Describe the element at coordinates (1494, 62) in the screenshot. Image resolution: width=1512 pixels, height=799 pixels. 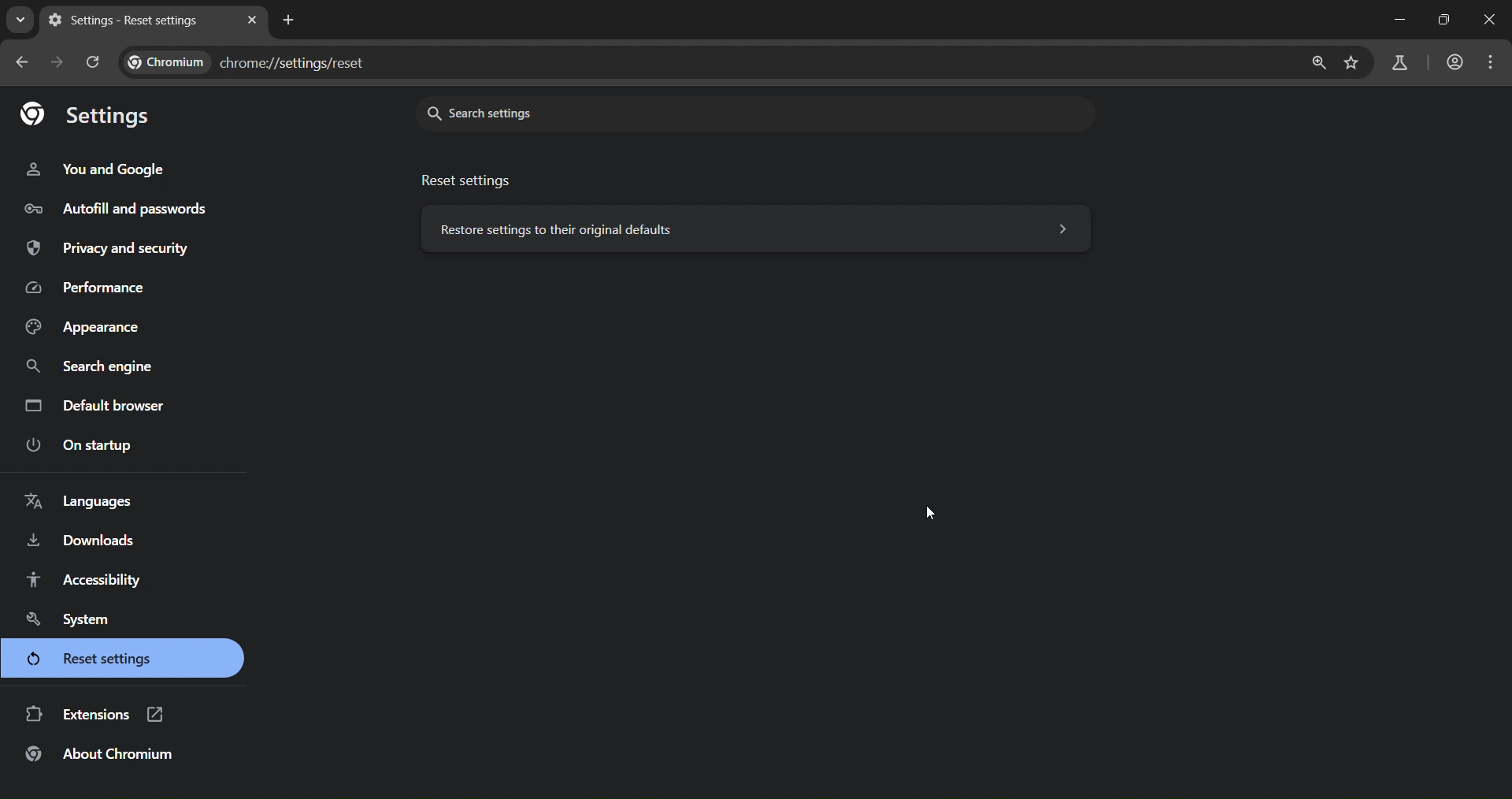
I see `menu` at that location.